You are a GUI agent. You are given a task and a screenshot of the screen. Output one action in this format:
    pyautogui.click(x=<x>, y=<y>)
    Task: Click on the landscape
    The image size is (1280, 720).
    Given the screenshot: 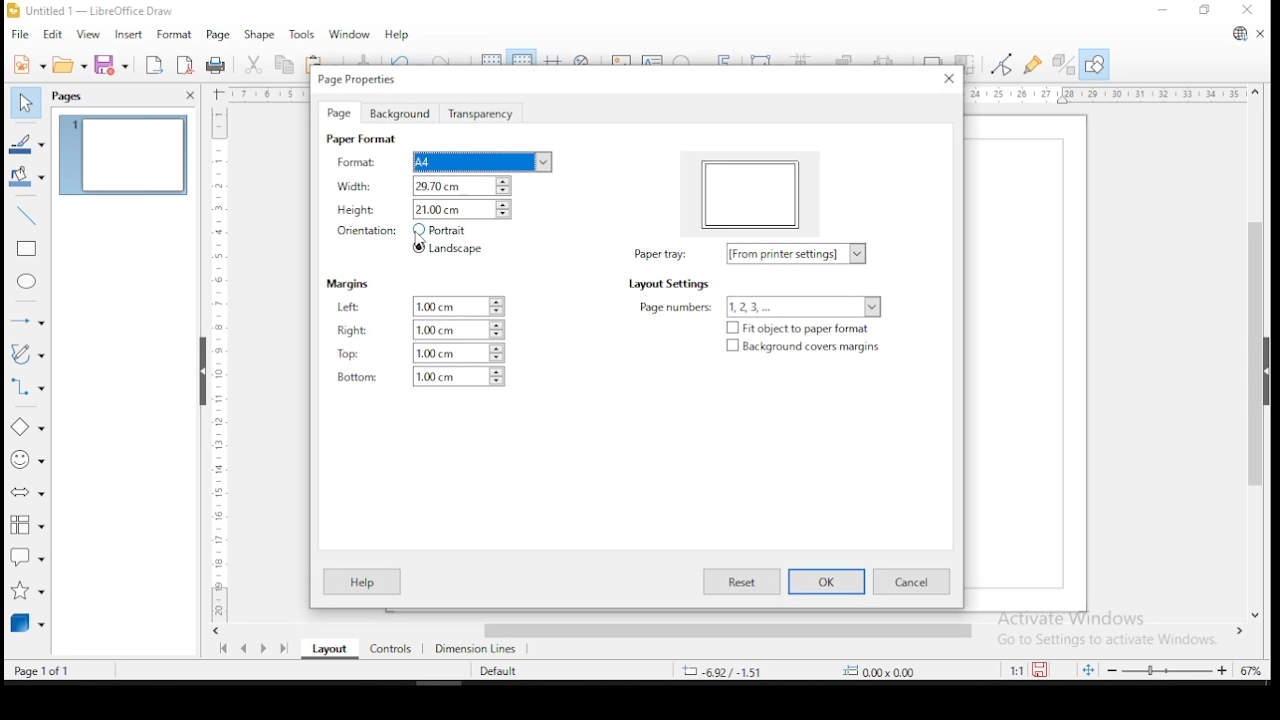 What is the action you would take?
    pyautogui.click(x=448, y=247)
    